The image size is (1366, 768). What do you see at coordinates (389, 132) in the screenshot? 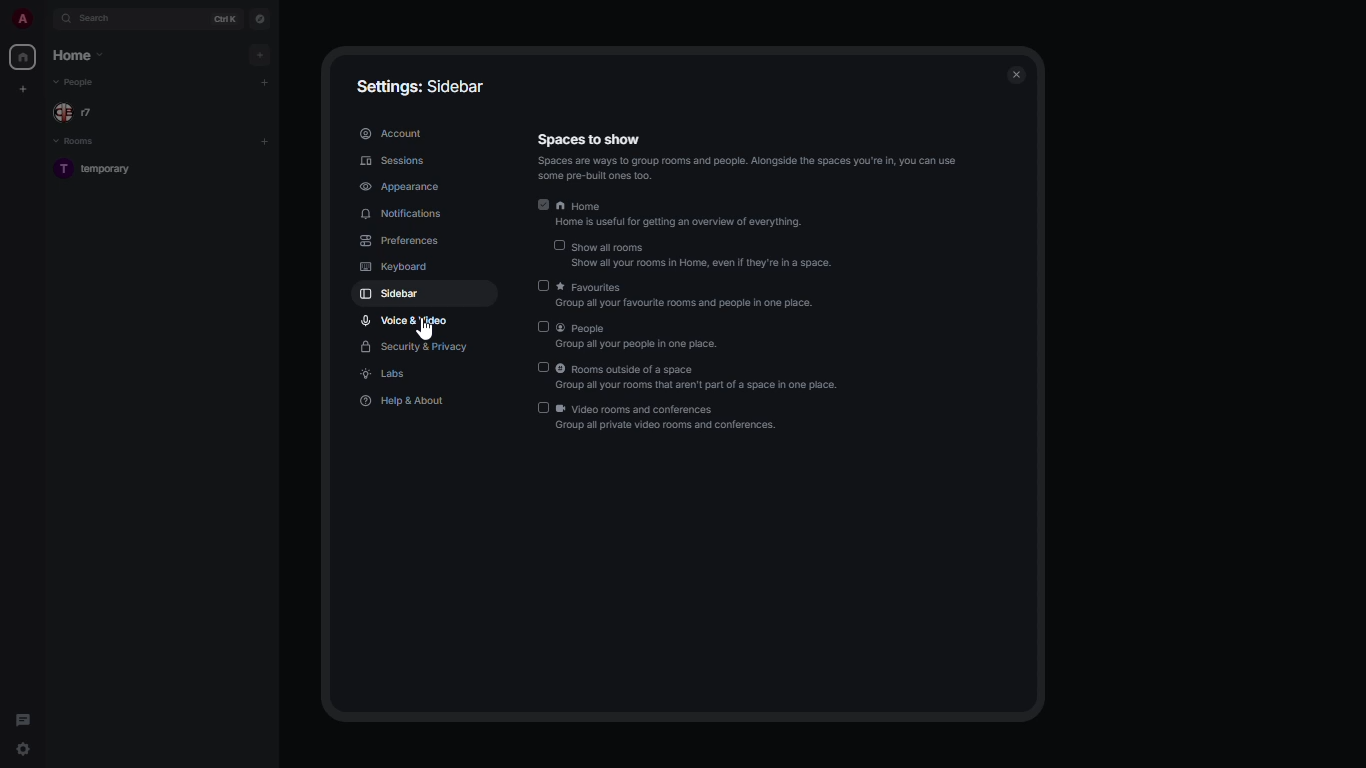
I see `account` at bounding box center [389, 132].